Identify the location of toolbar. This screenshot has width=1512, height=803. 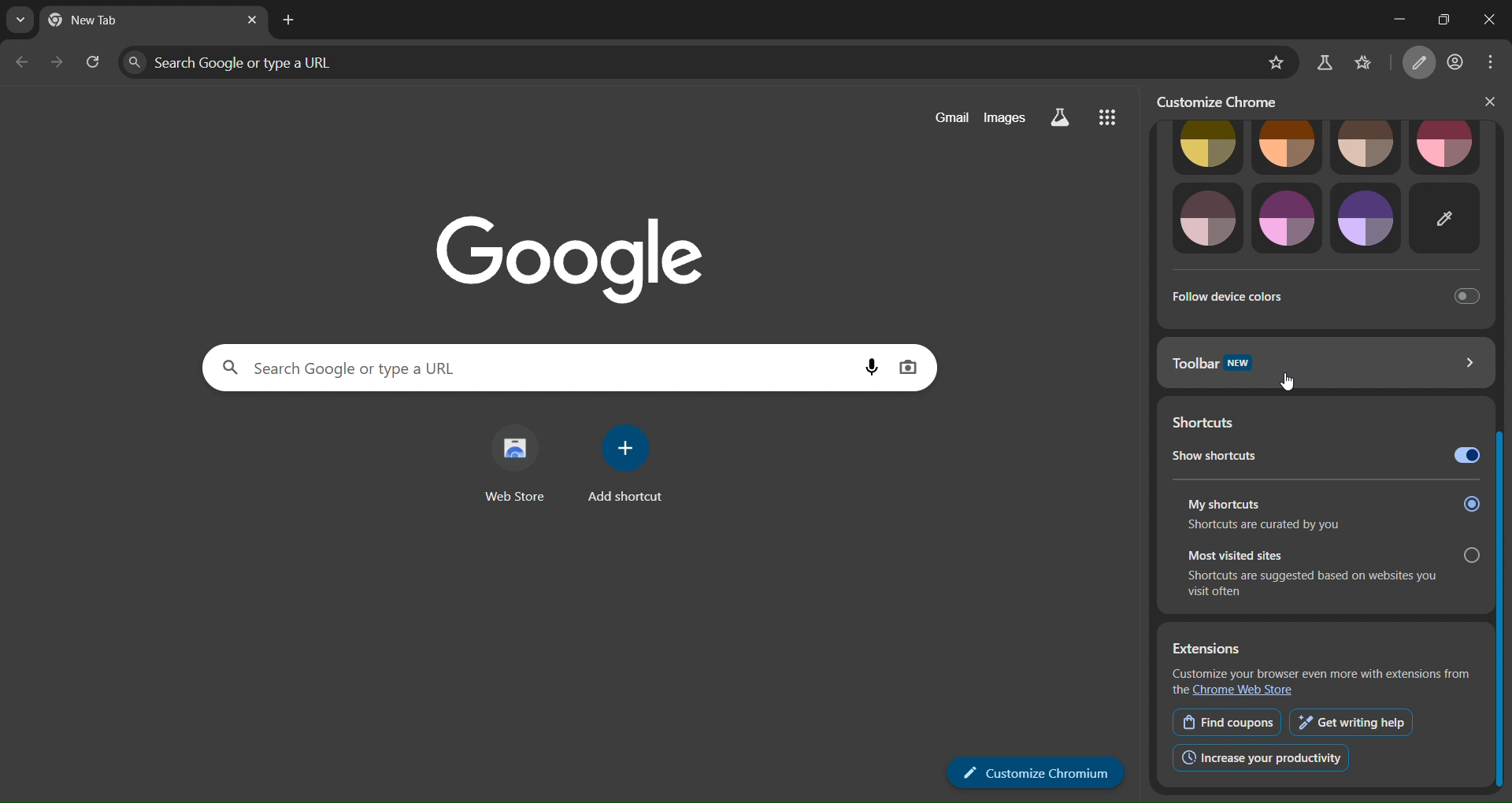
(1325, 362).